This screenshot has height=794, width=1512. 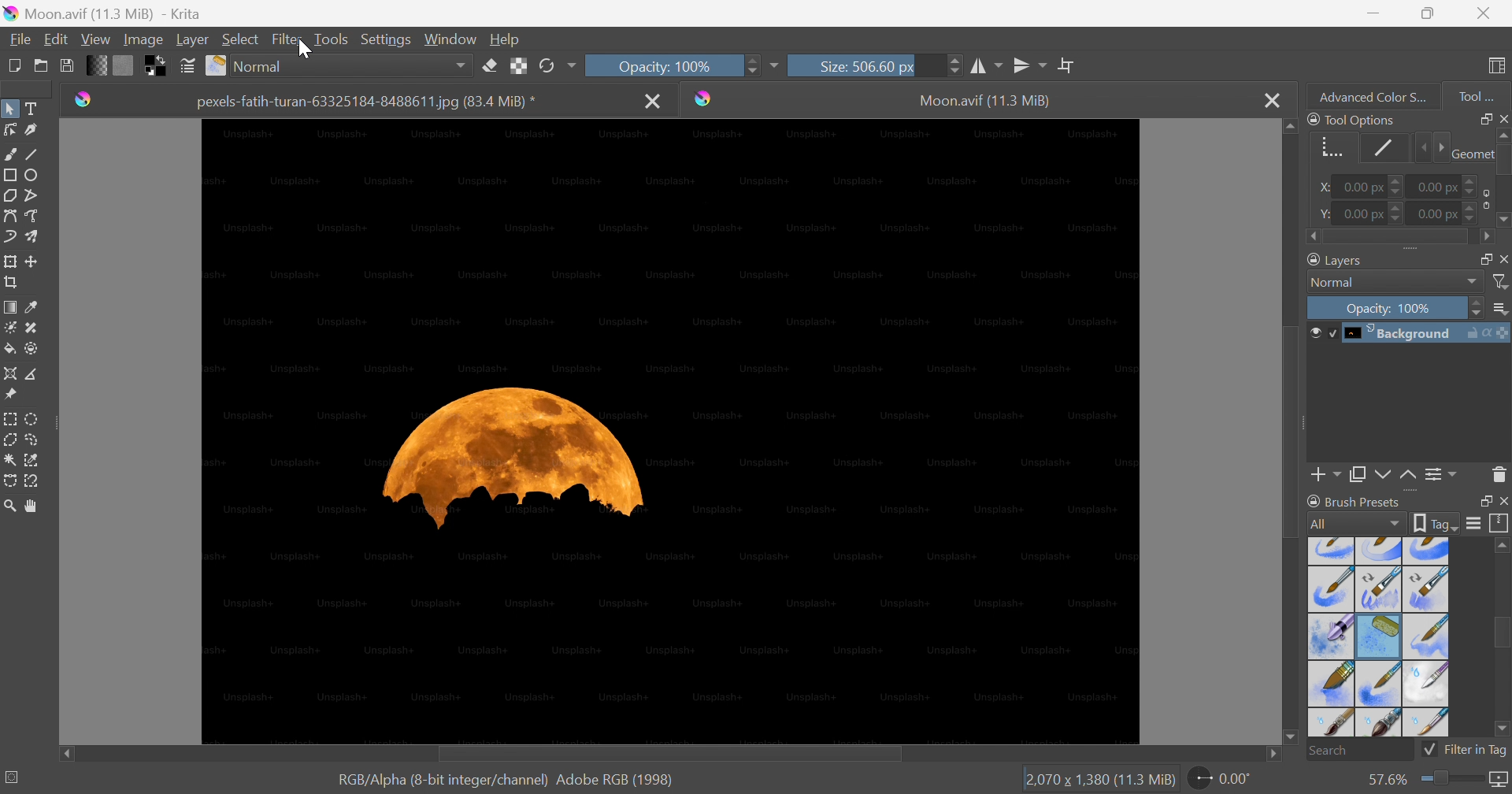 What do you see at coordinates (986, 66) in the screenshot?
I see `Horizontal mirror tool` at bounding box center [986, 66].